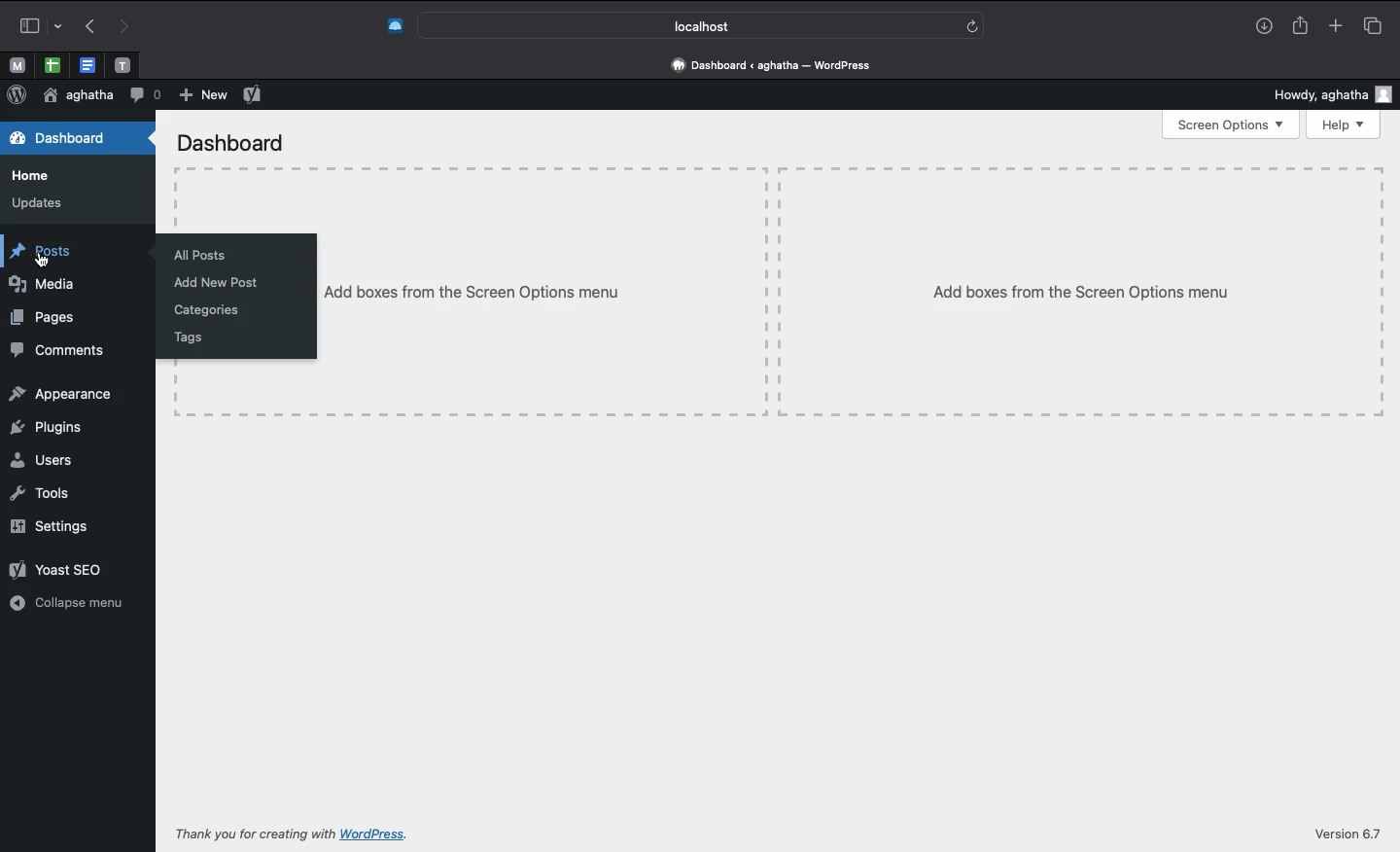 This screenshot has width=1400, height=852. I want to click on Wordpress logo, so click(18, 95).